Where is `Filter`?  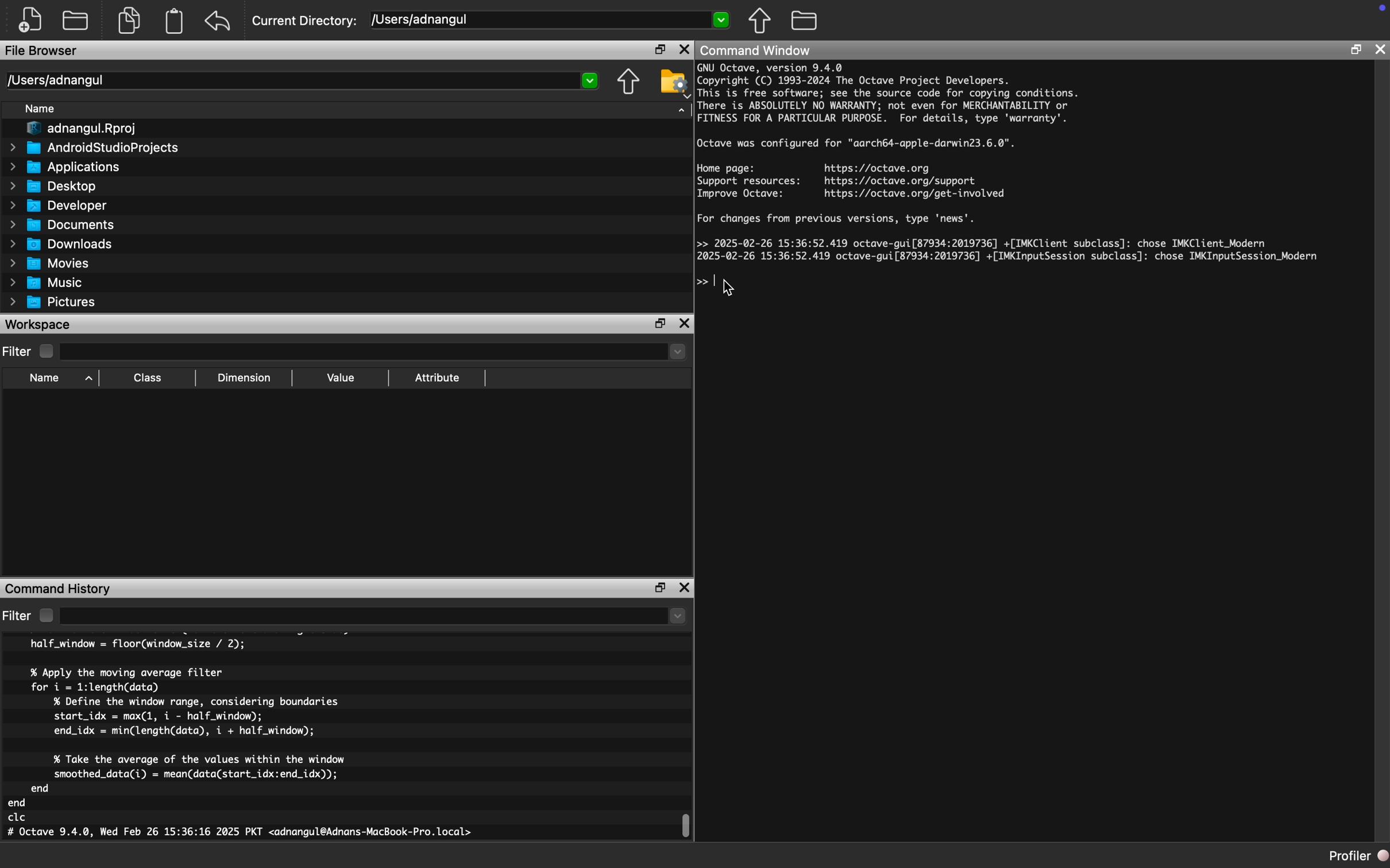
Filter is located at coordinates (18, 617).